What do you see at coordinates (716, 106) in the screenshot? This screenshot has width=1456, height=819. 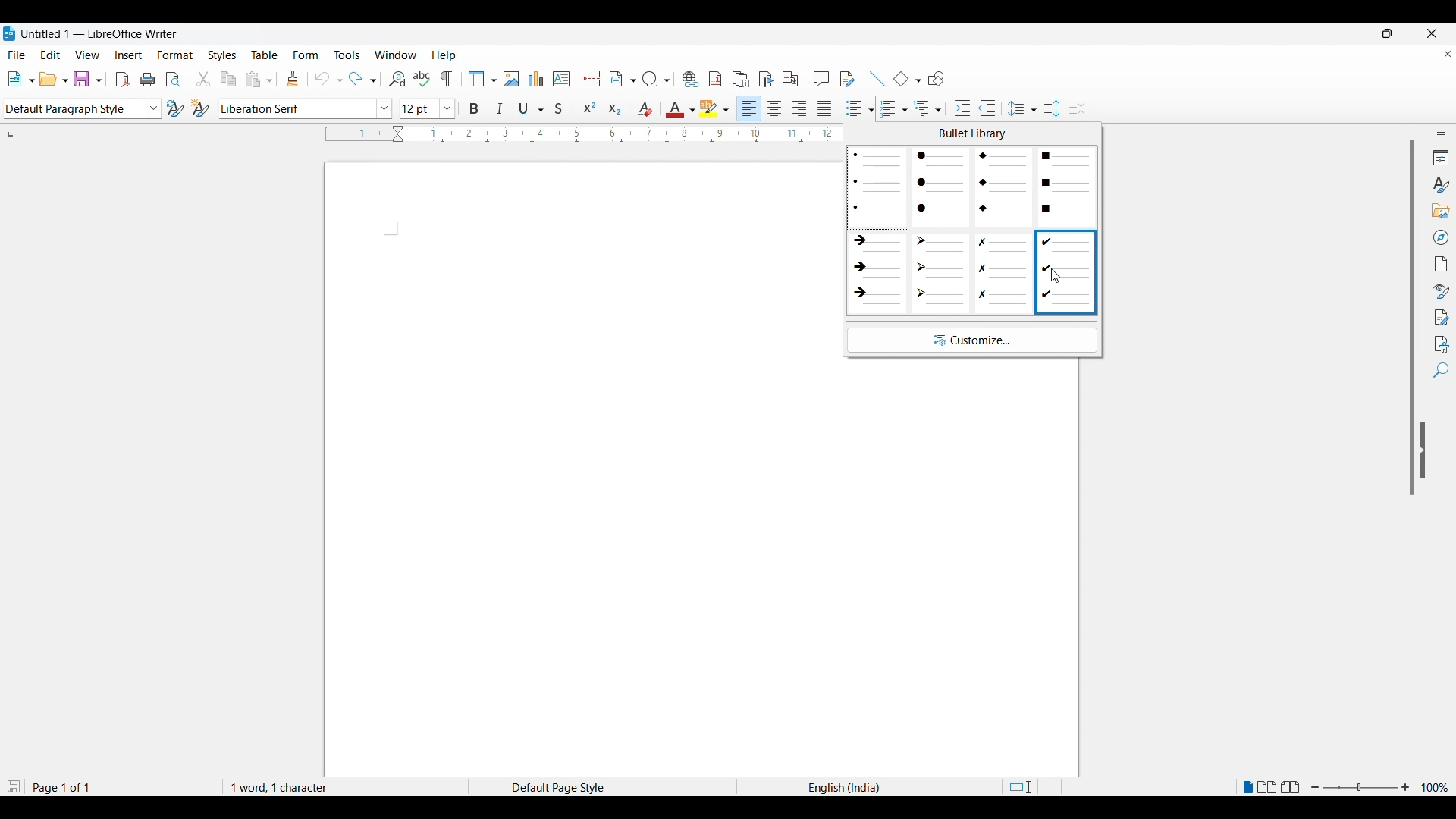 I see `hightlight color` at bounding box center [716, 106].